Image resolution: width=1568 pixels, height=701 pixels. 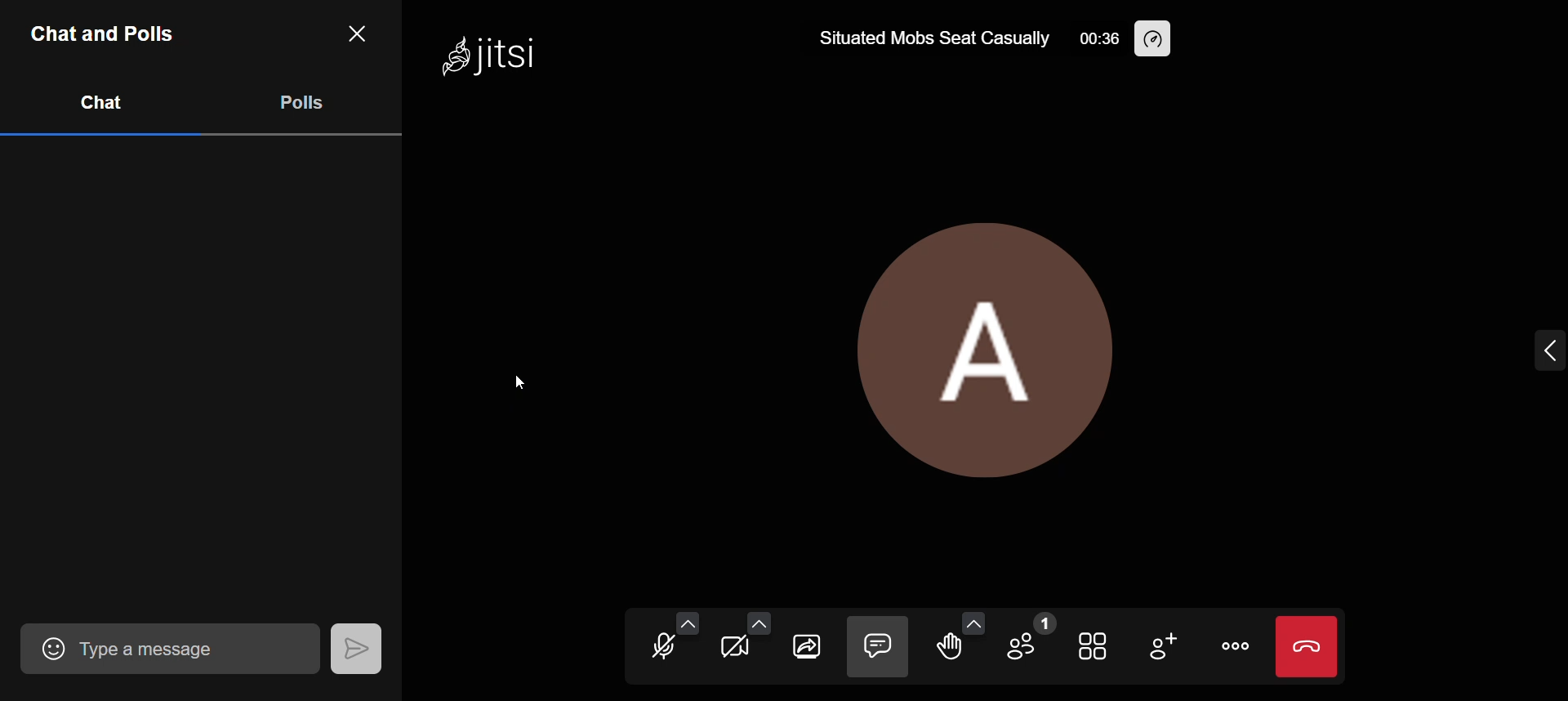 What do you see at coordinates (106, 29) in the screenshot?
I see `Chat and Polls` at bounding box center [106, 29].